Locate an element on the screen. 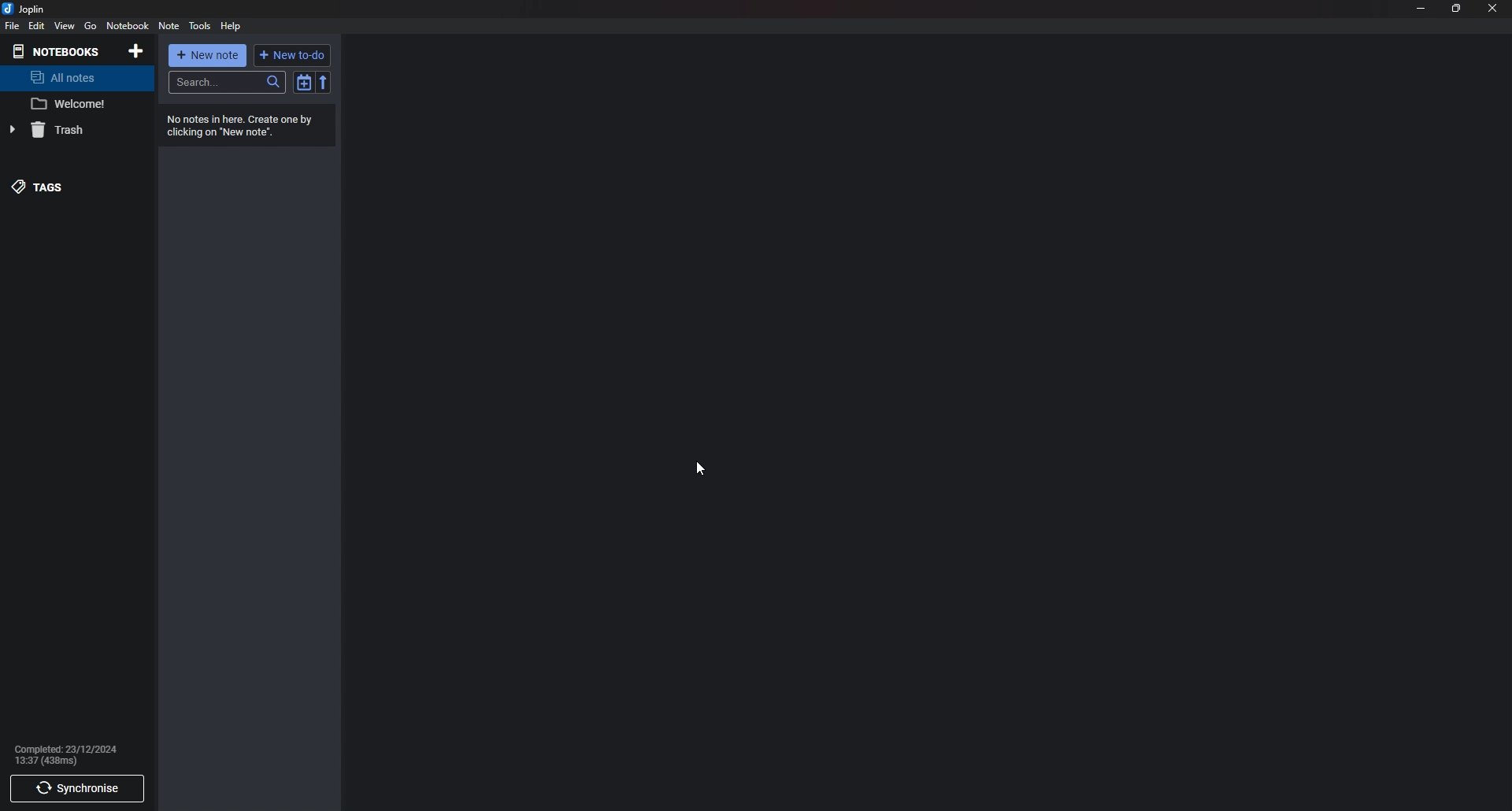  new to do is located at coordinates (294, 56).